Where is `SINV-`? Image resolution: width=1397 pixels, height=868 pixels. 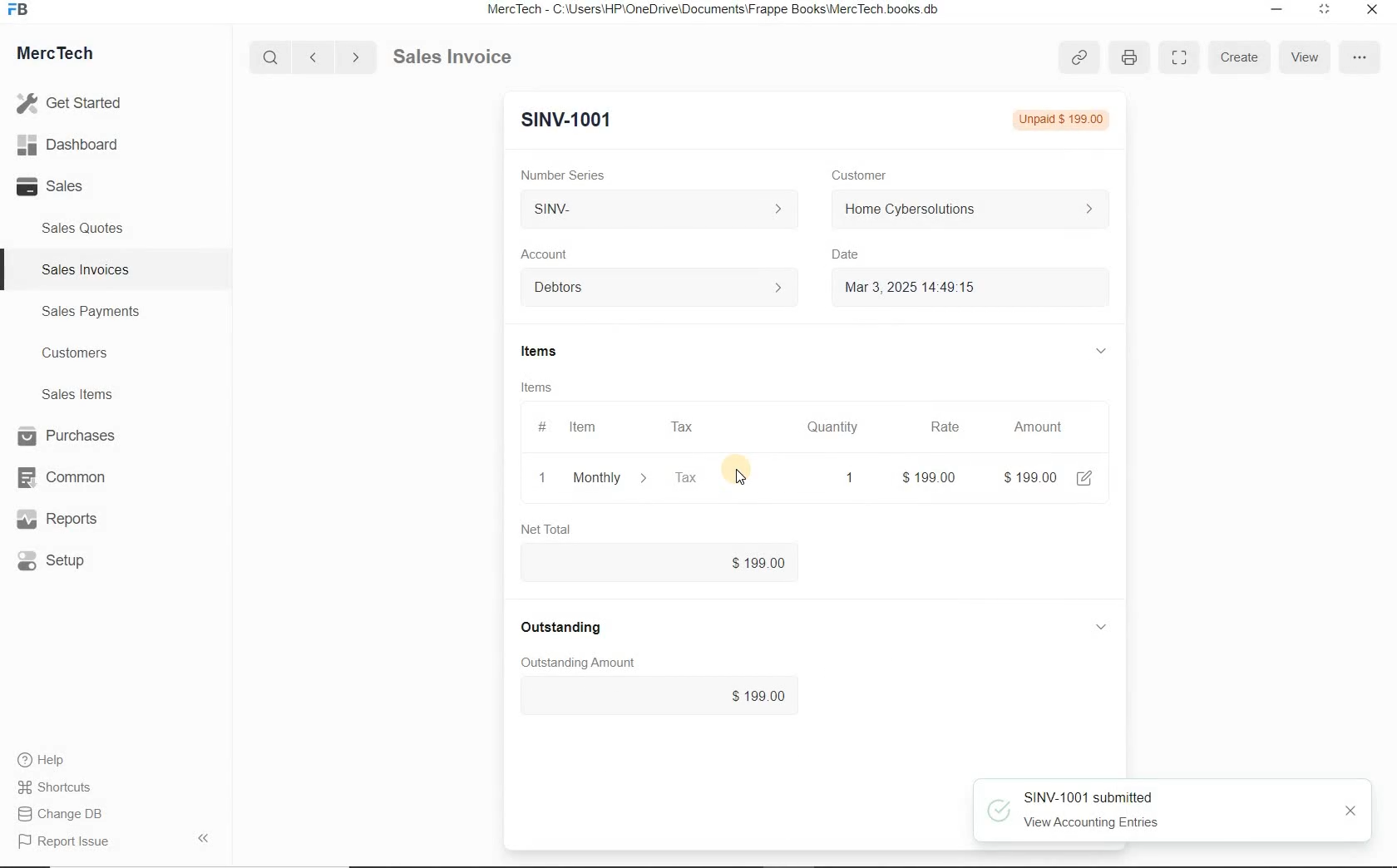
SINV- is located at coordinates (655, 210).